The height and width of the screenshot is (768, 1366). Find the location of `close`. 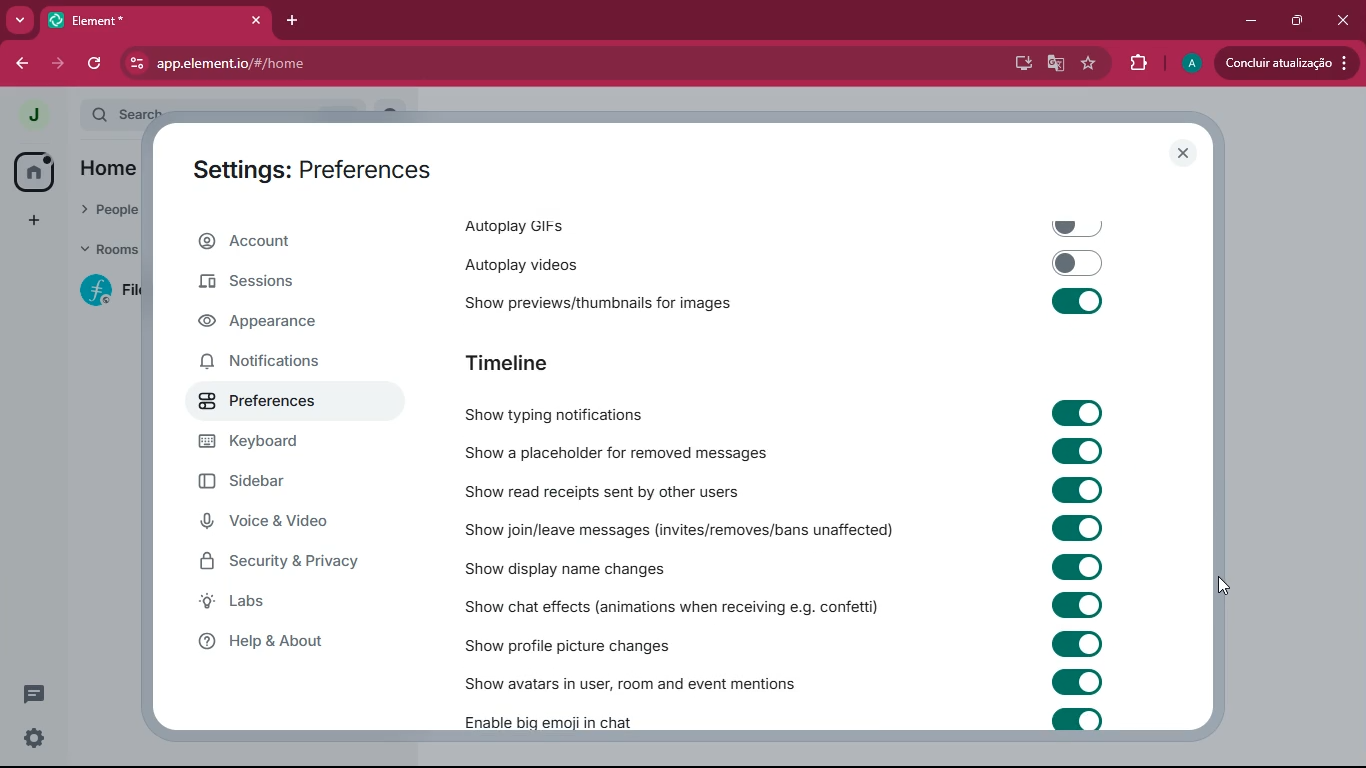

close is located at coordinates (1183, 153).